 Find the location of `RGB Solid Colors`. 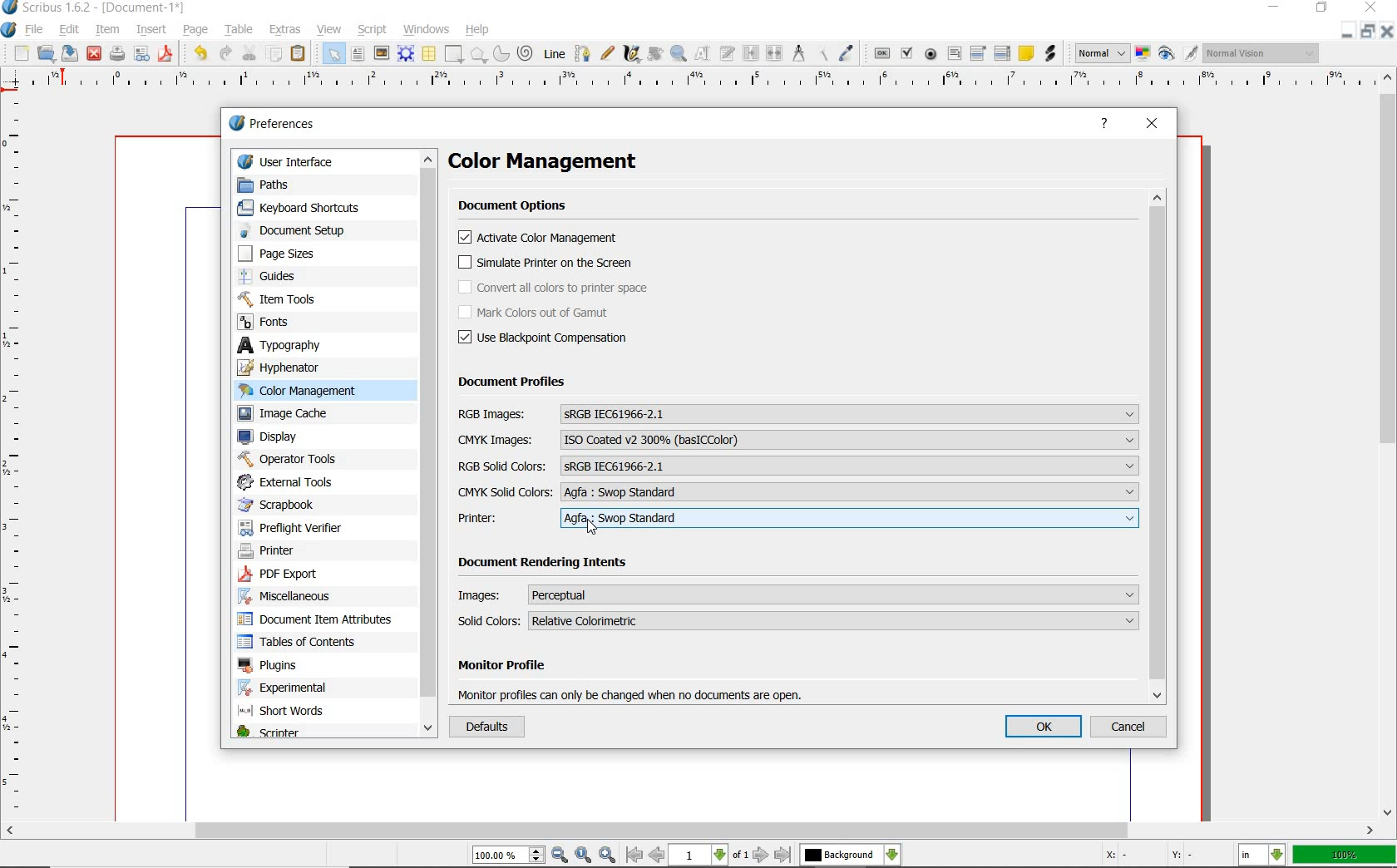

RGB Solid Colors is located at coordinates (797, 465).